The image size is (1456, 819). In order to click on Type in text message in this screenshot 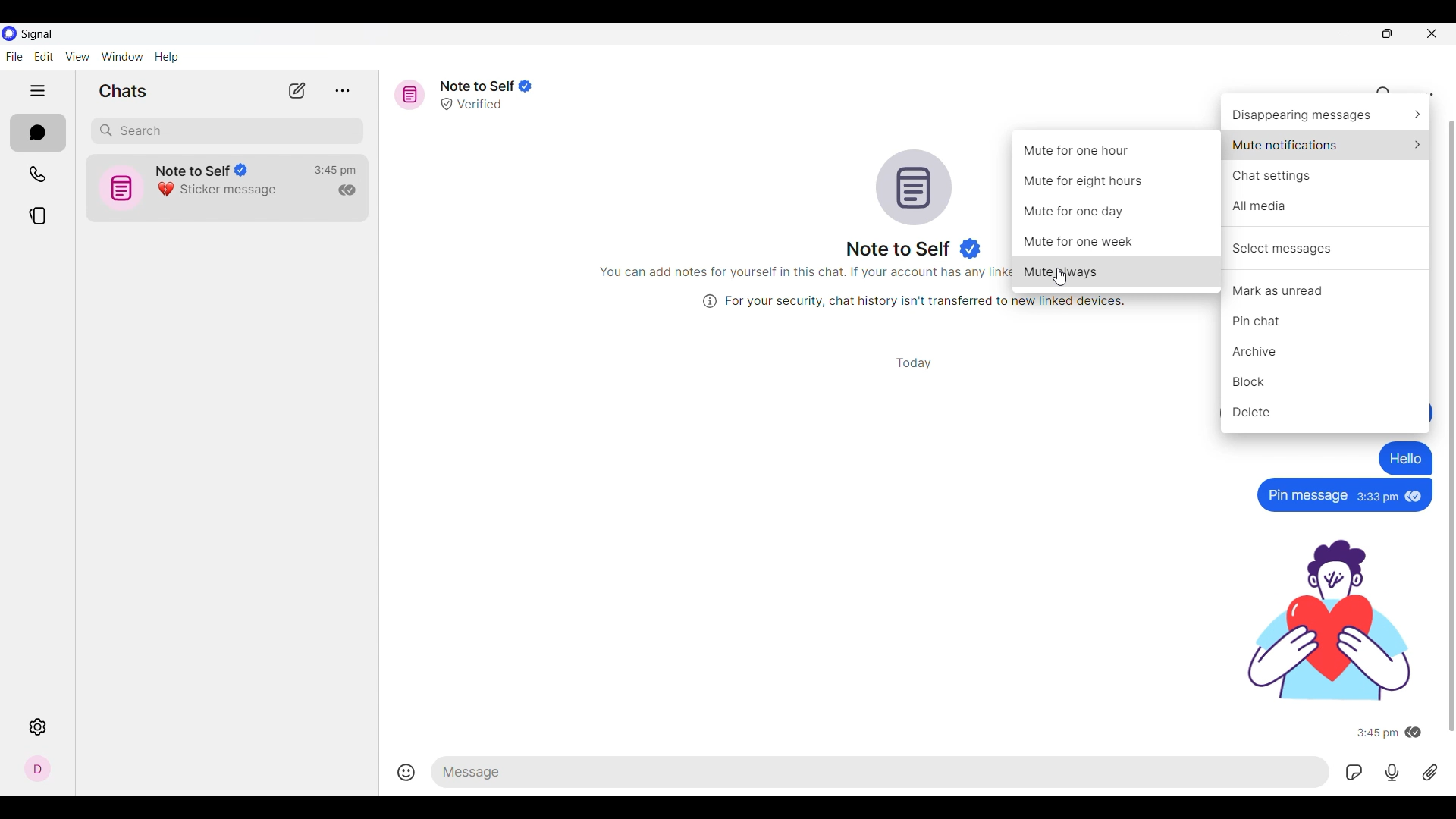, I will do `click(878, 774)`.